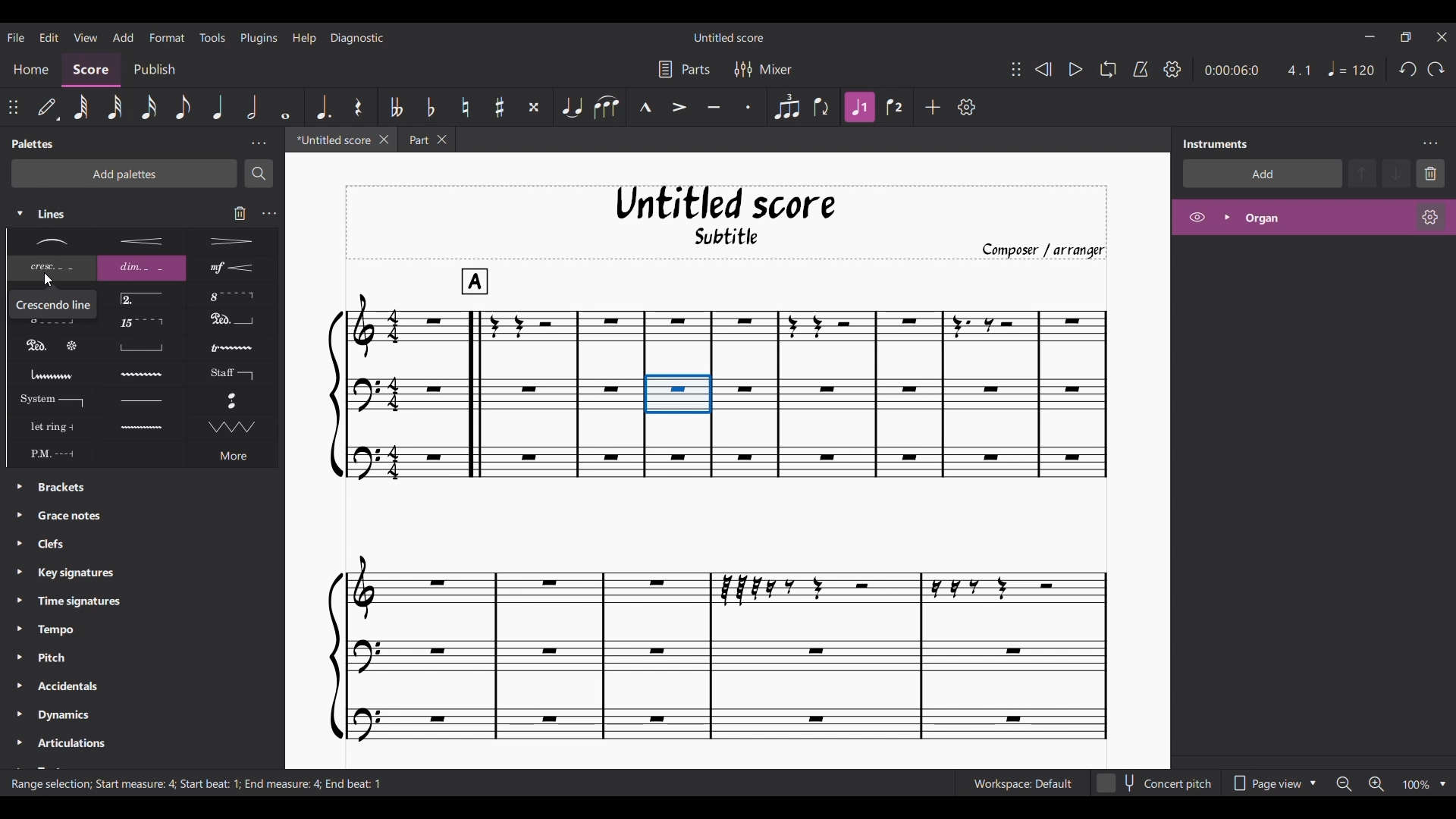  Describe the element at coordinates (286, 107) in the screenshot. I see `Whole note` at that location.